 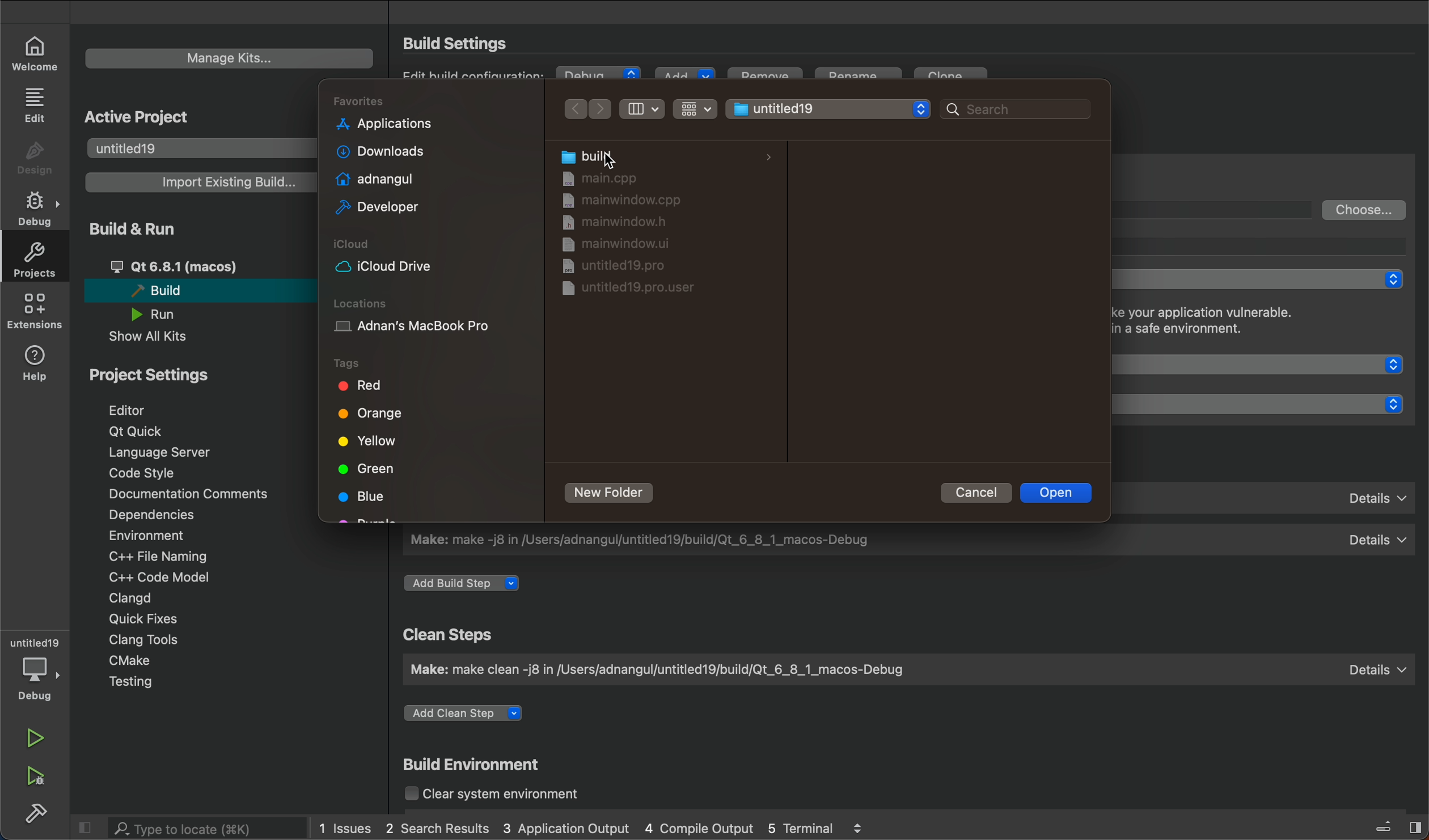 I want to click on build directory , so click(x=1219, y=209).